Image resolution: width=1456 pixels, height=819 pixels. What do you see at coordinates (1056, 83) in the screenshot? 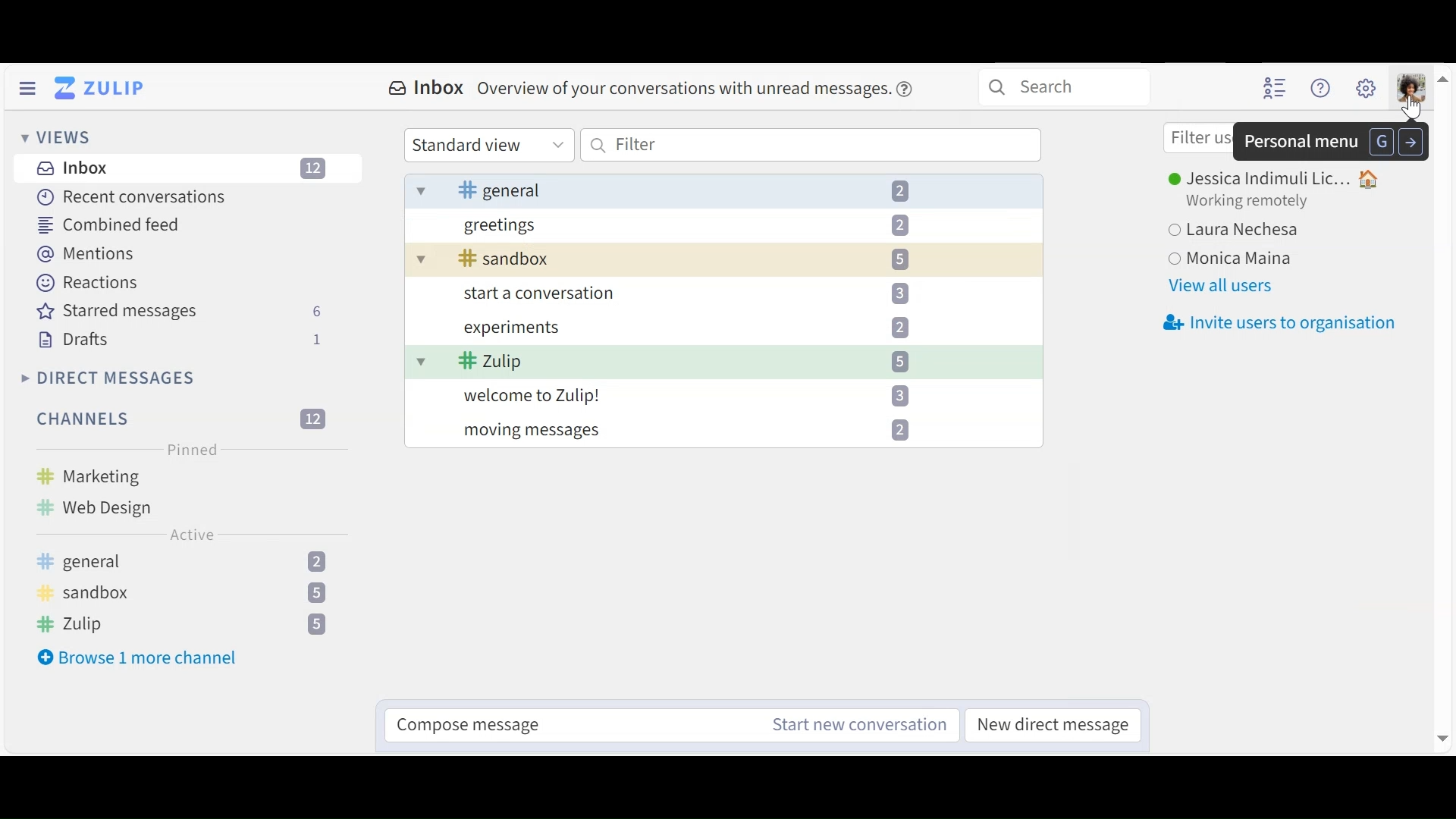
I see `Search` at bounding box center [1056, 83].